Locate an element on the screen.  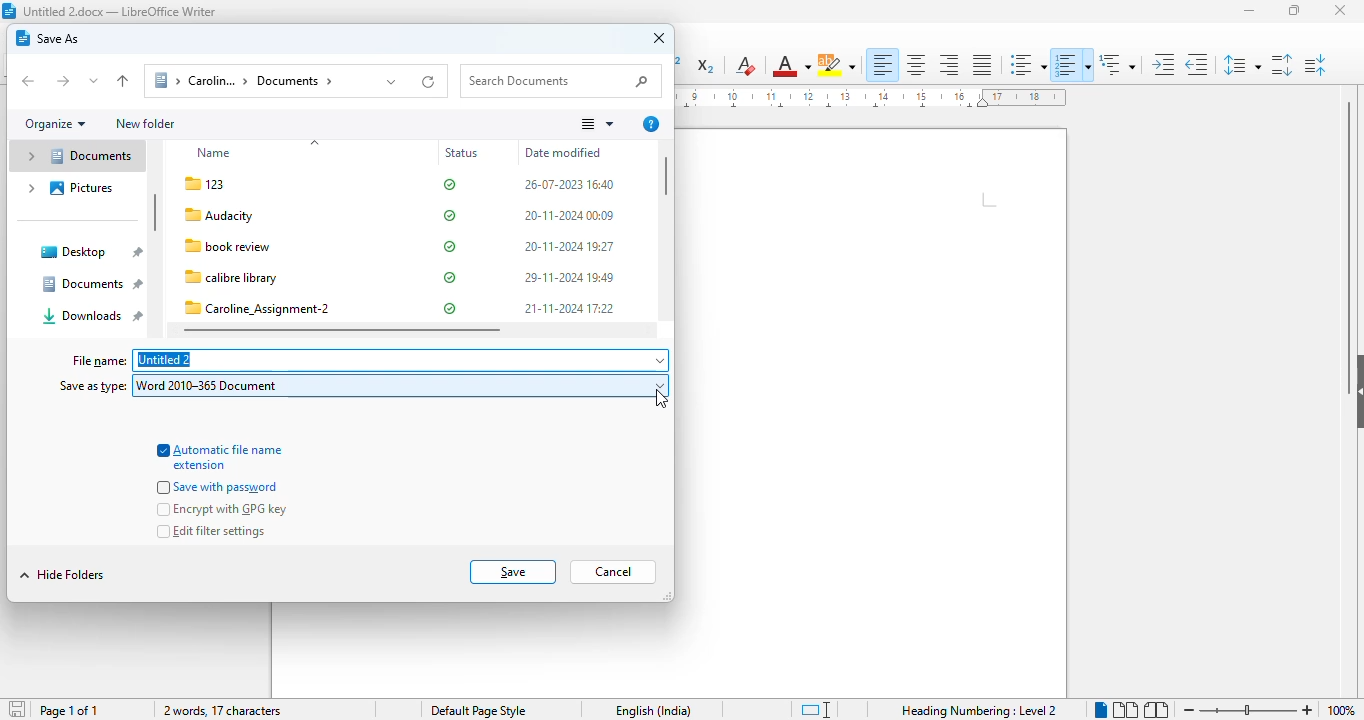
font color is located at coordinates (791, 65).